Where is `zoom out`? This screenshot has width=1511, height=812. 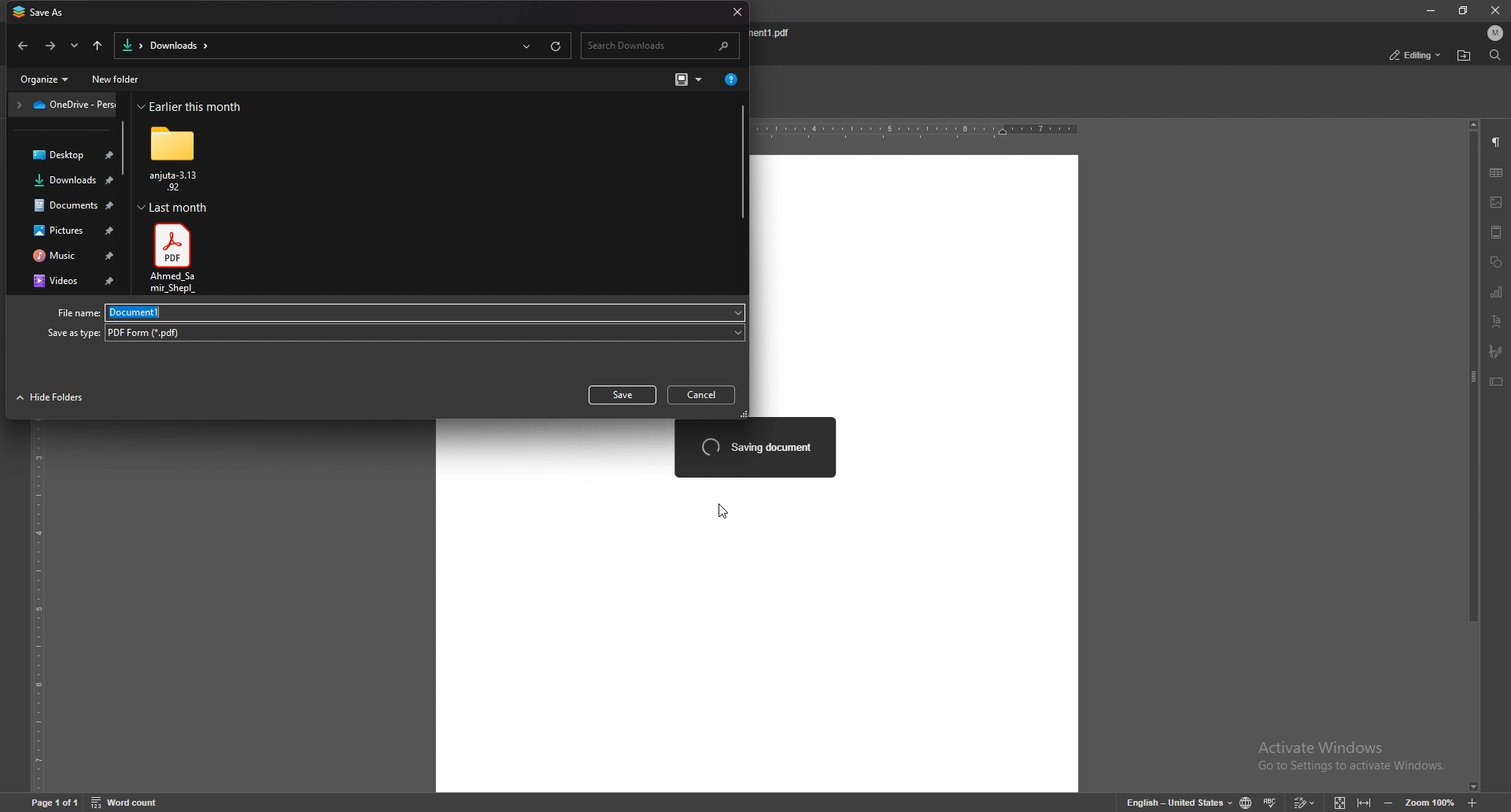
zoom out is located at coordinates (1391, 801).